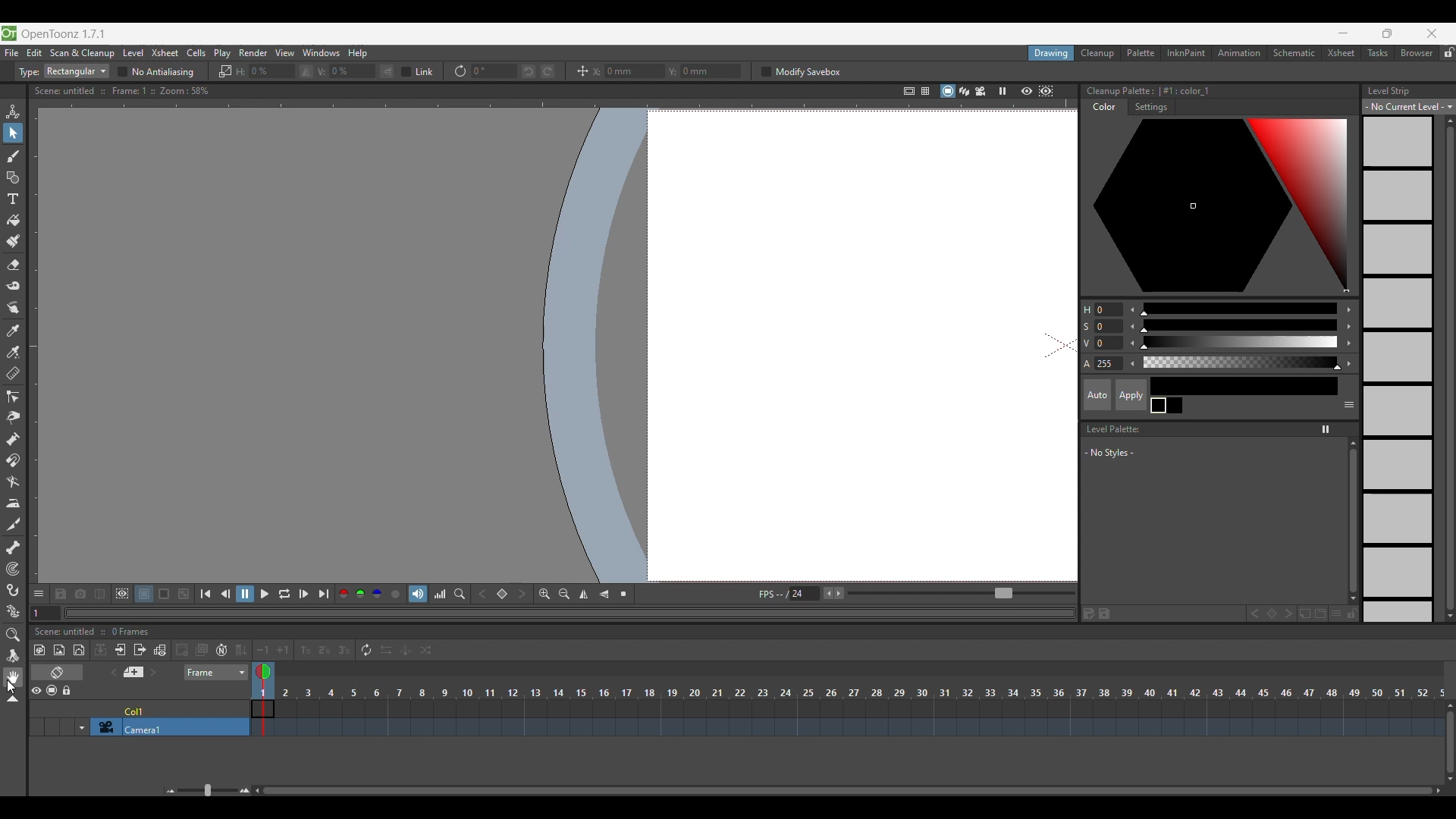 This screenshot has width=1456, height=819. Describe the element at coordinates (1045, 91) in the screenshot. I see `Sub camera preview` at that location.